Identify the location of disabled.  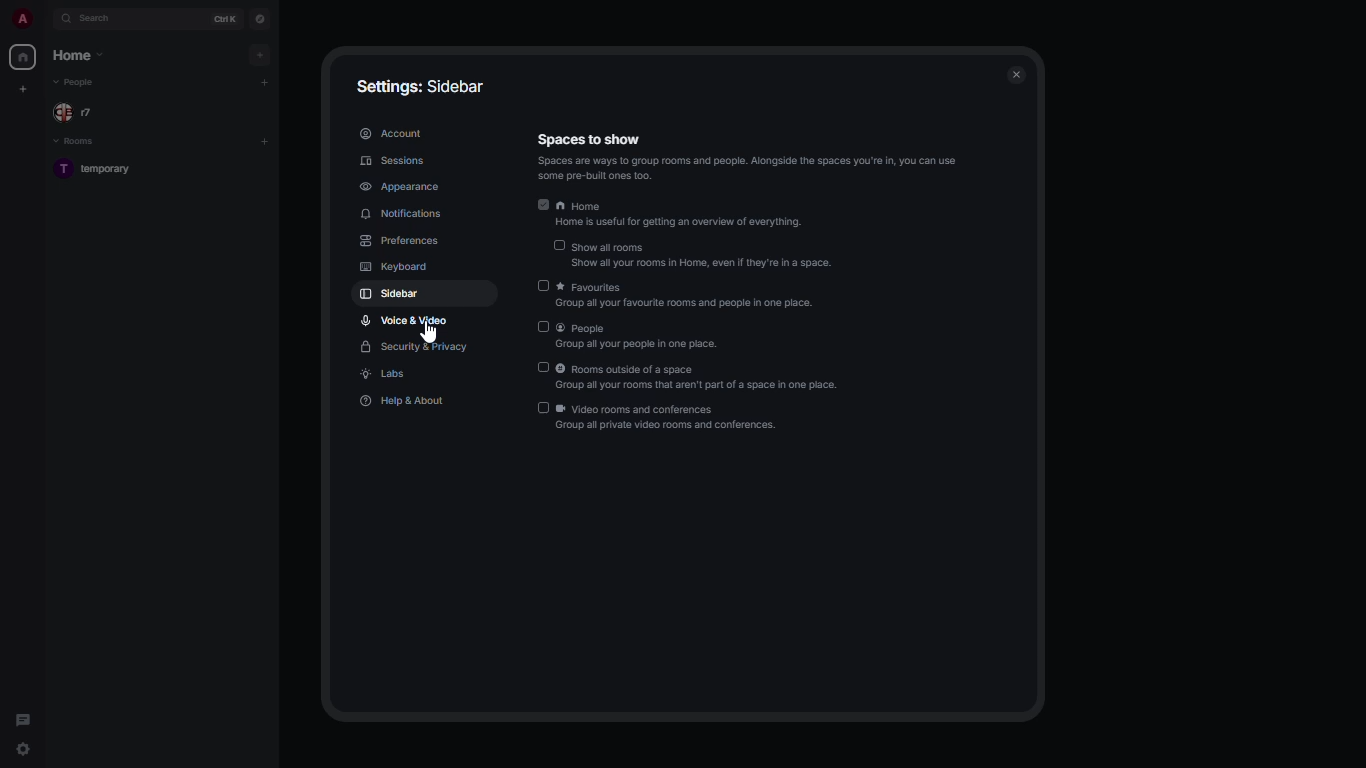
(540, 368).